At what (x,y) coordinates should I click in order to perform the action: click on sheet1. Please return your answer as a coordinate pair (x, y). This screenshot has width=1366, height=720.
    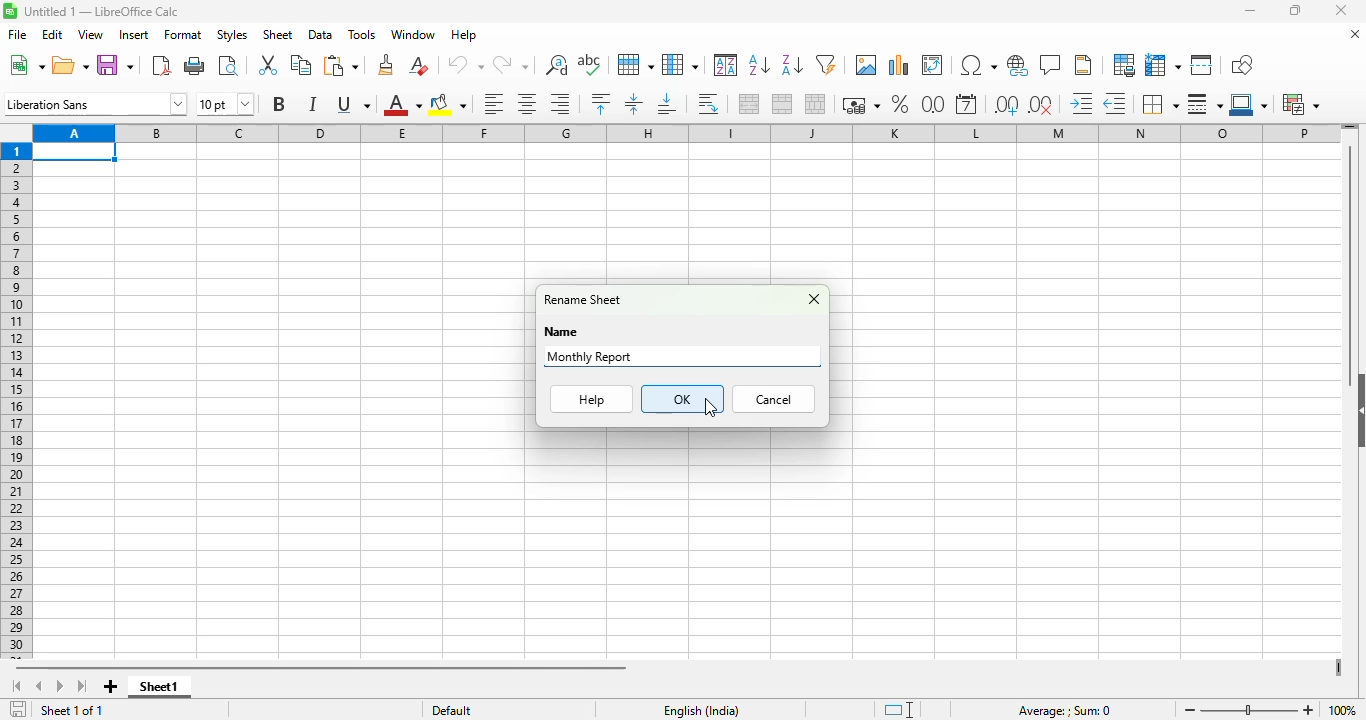
    Looking at the image, I should click on (156, 686).